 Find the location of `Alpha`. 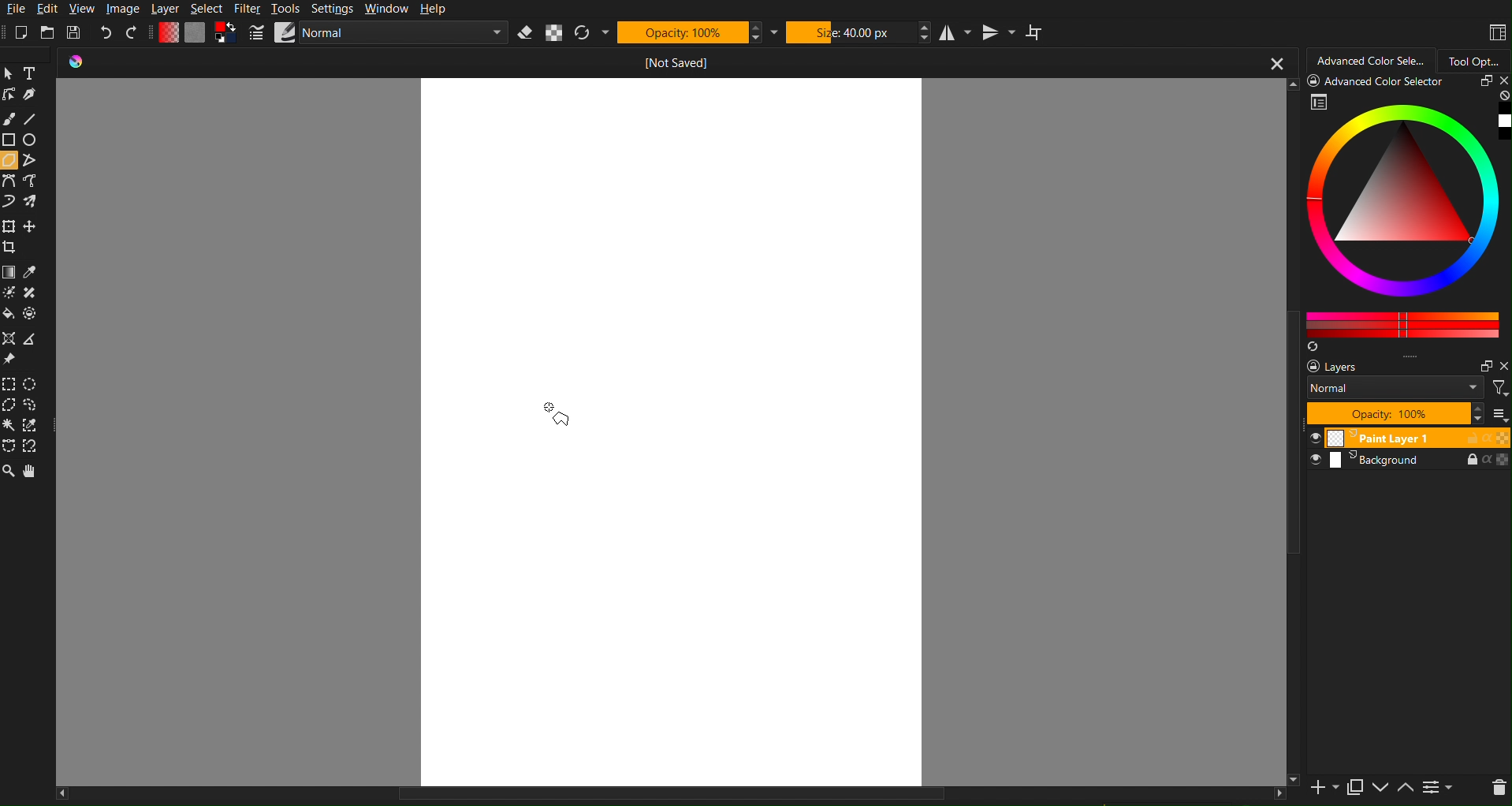

Alpha is located at coordinates (555, 33).